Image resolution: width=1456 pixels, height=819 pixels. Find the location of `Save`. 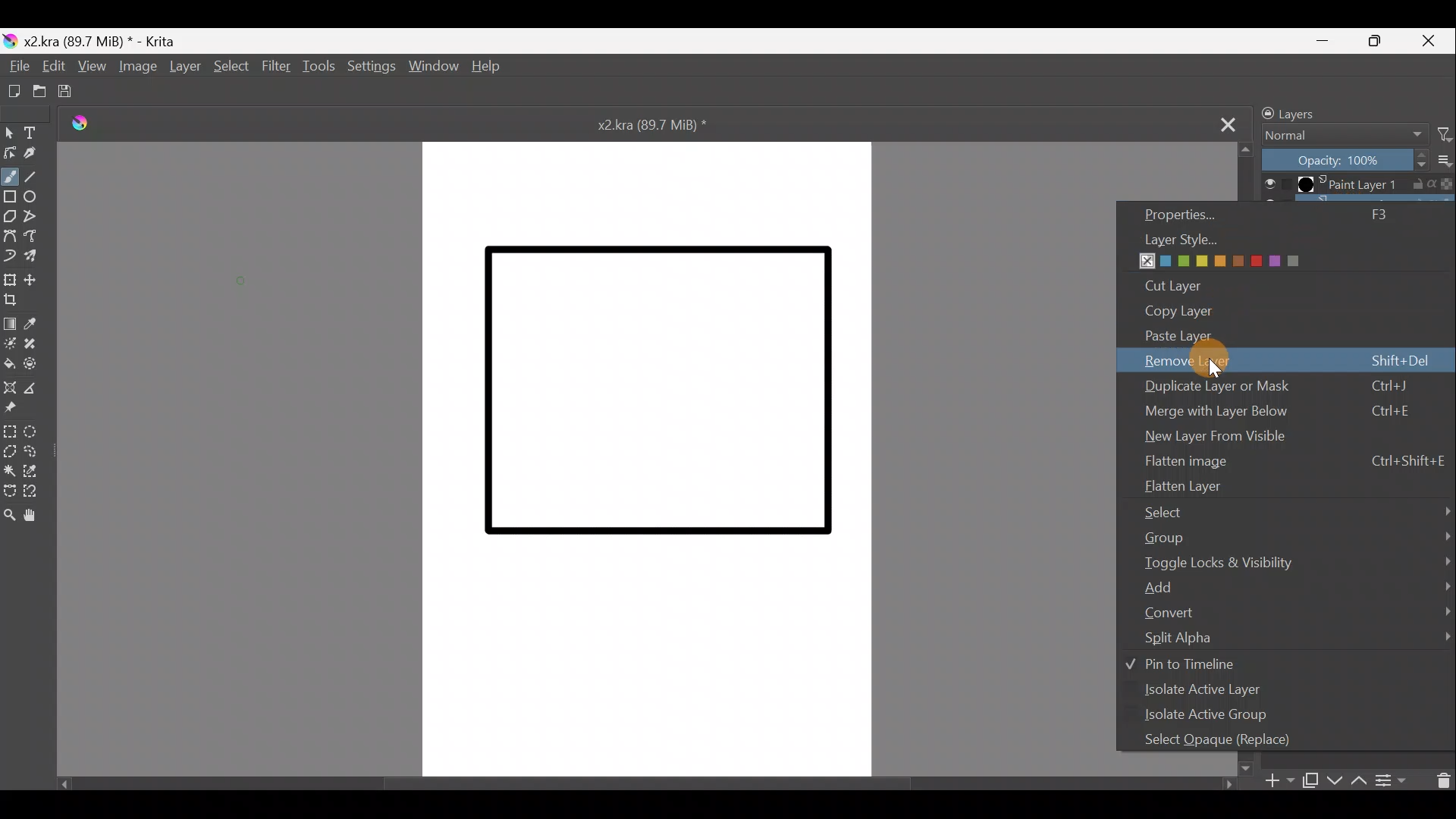

Save is located at coordinates (66, 92).